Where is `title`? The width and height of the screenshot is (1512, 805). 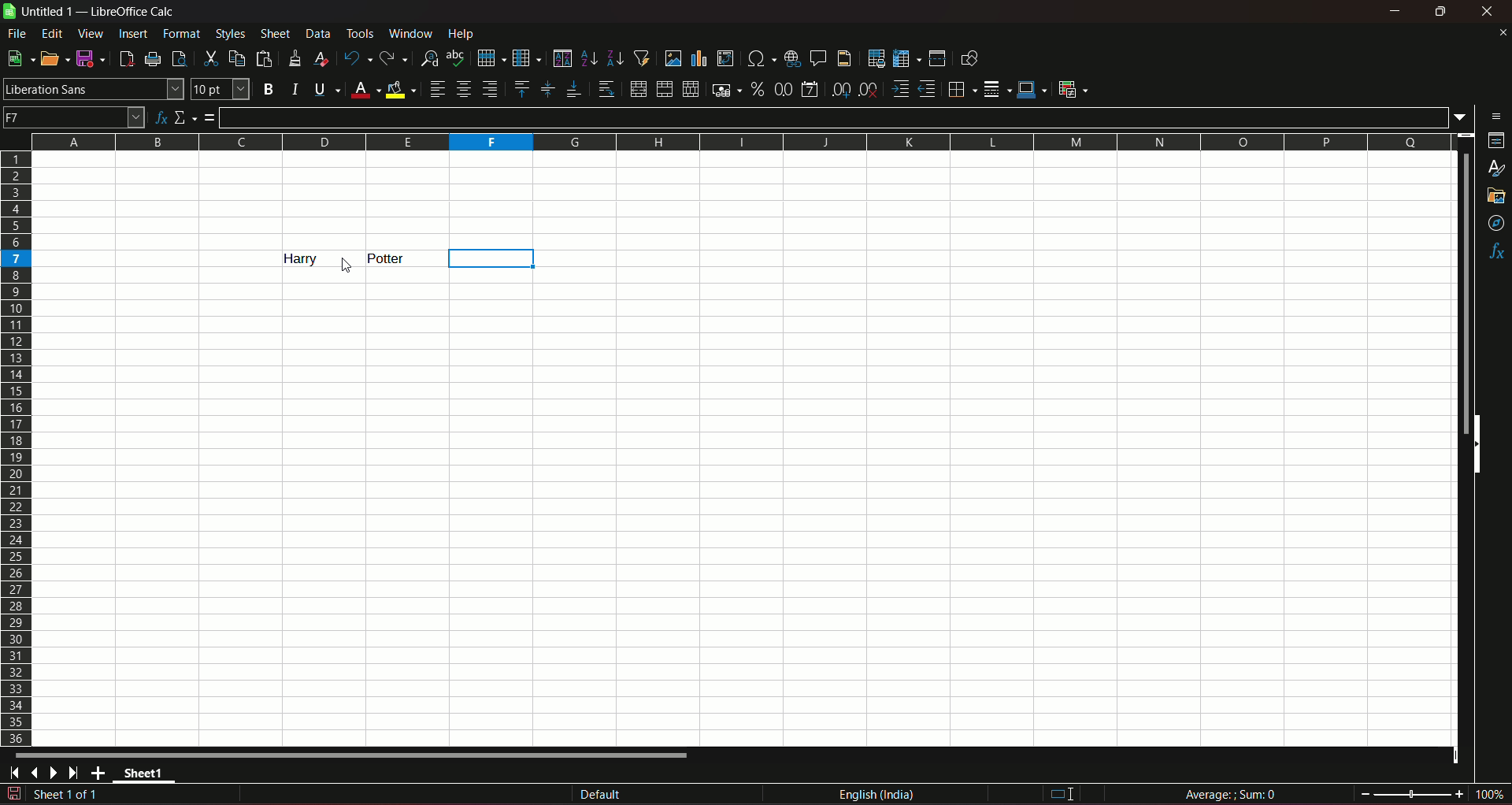
title is located at coordinates (134, 12).